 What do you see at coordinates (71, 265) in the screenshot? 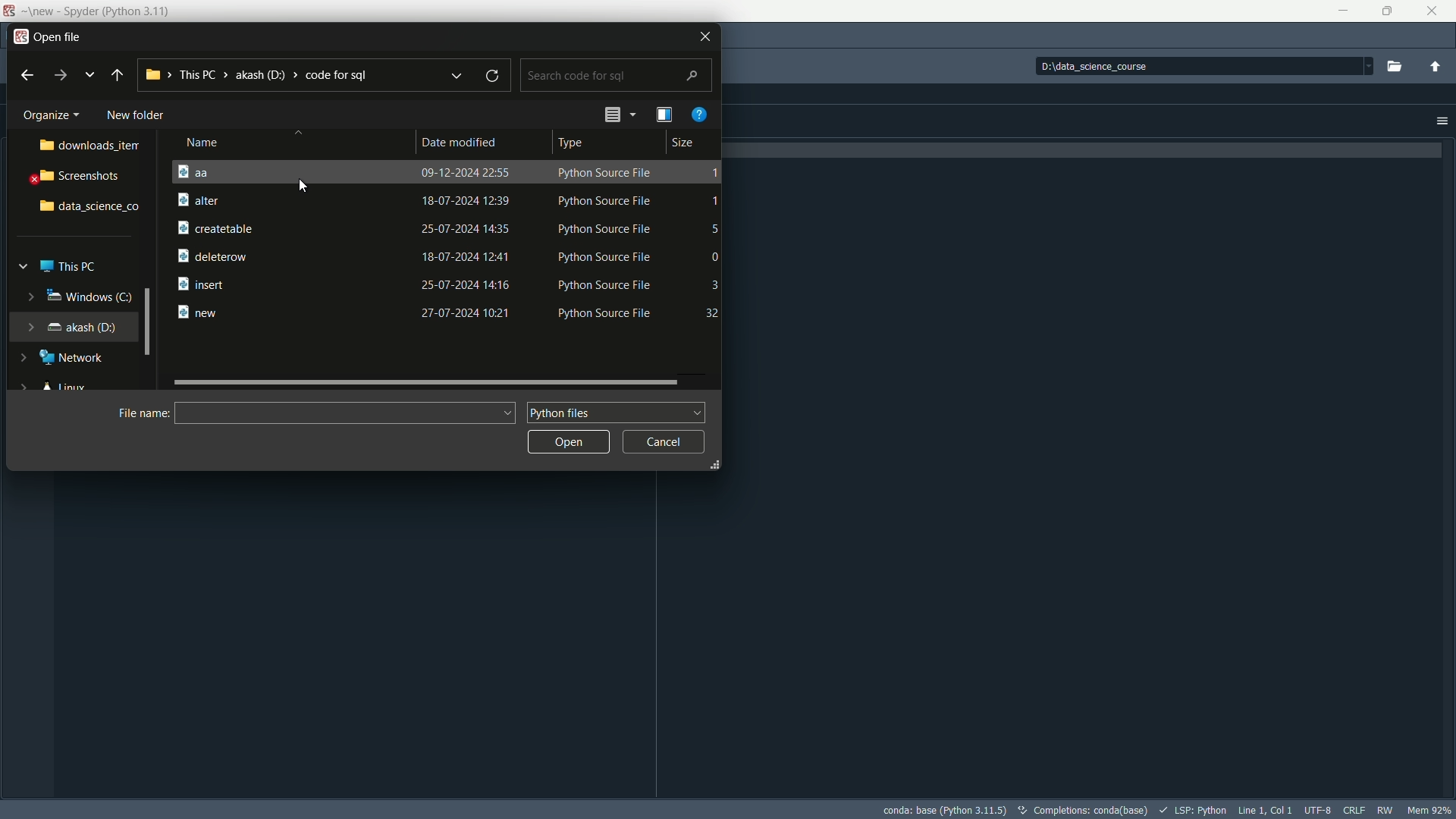
I see `this pc` at bounding box center [71, 265].